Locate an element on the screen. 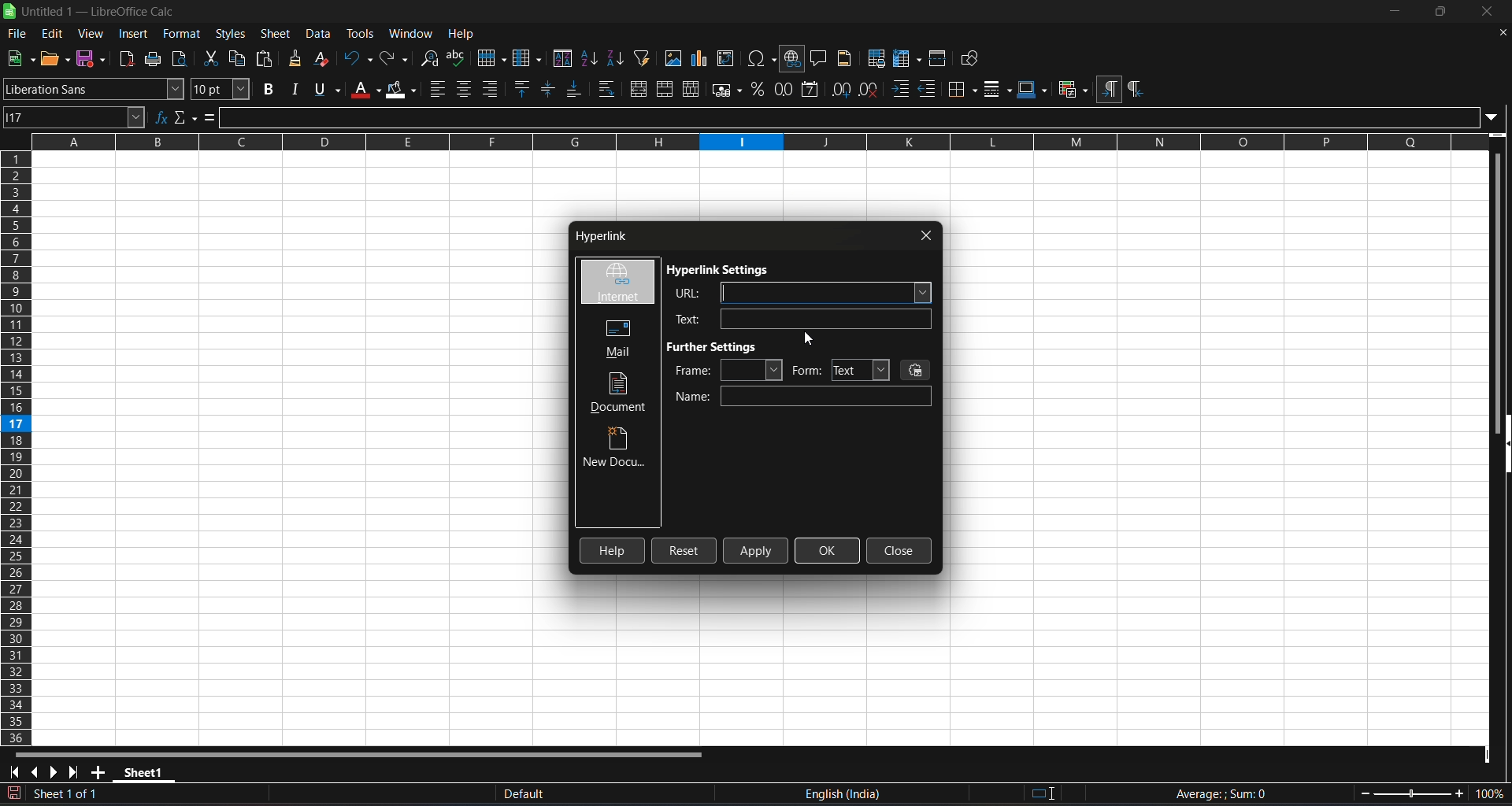  print is located at coordinates (157, 58).